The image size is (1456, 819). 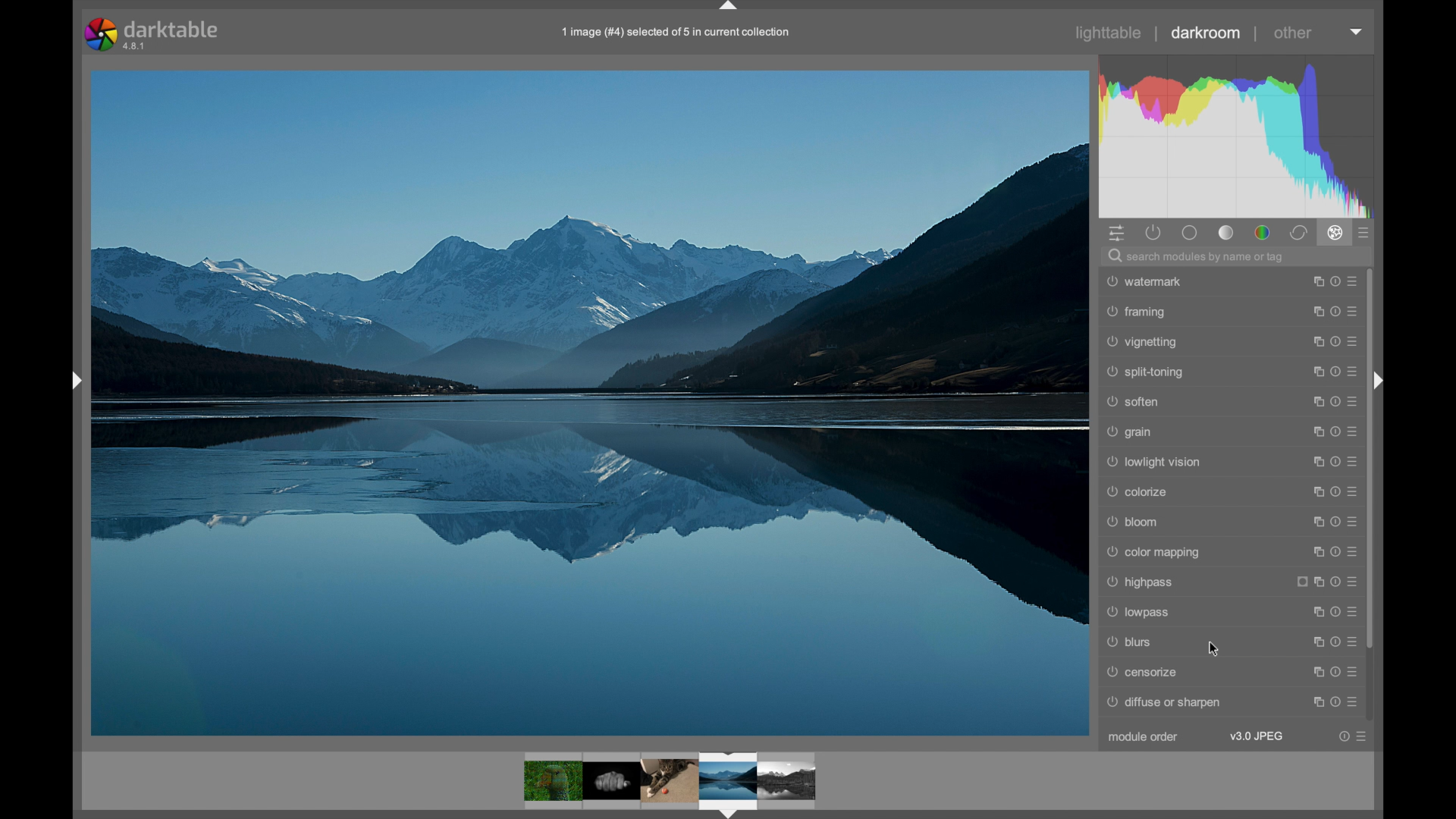 I want to click on search module by name or tag, so click(x=1196, y=256).